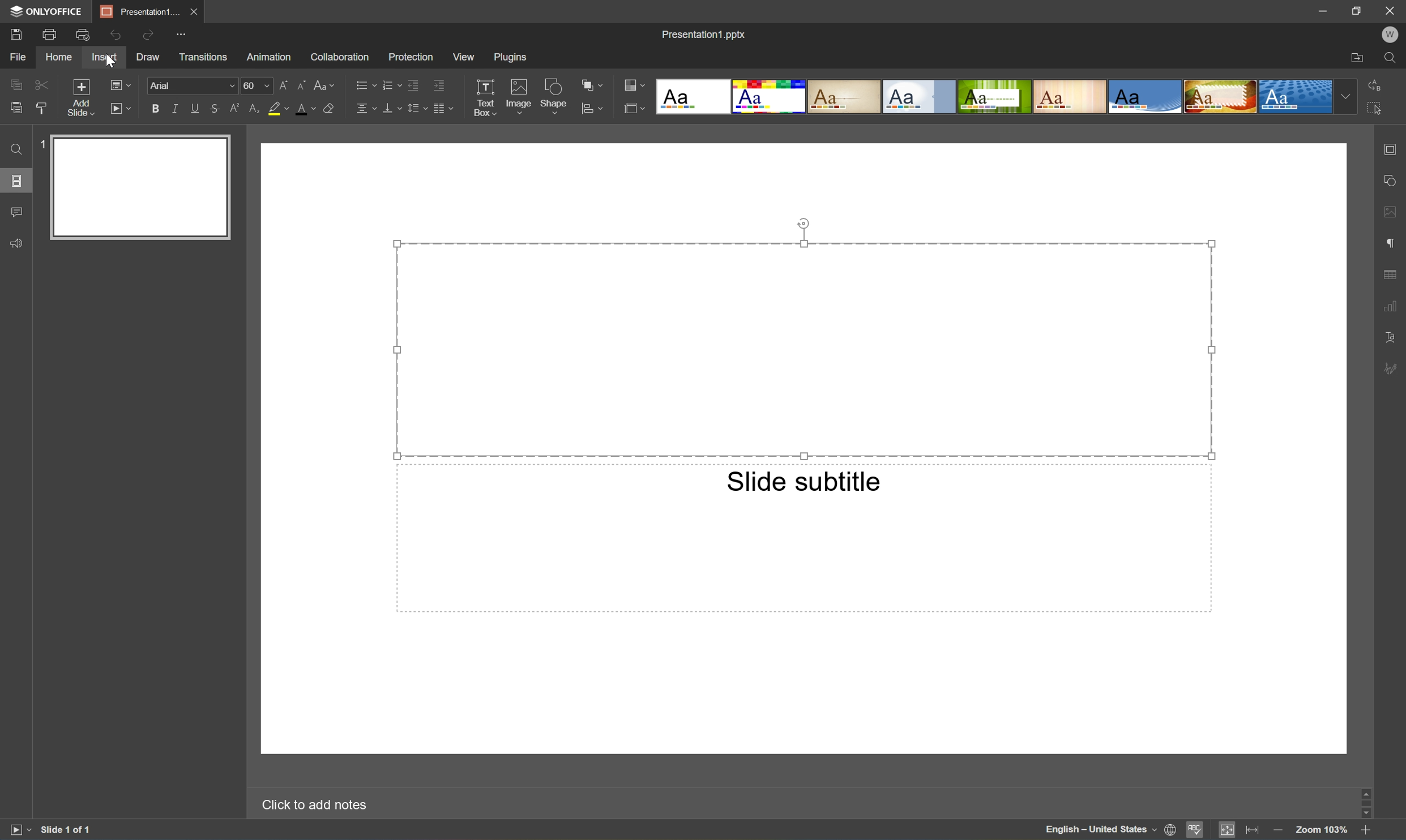  Describe the element at coordinates (994, 97) in the screenshot. I see `Type of slides` at that location.